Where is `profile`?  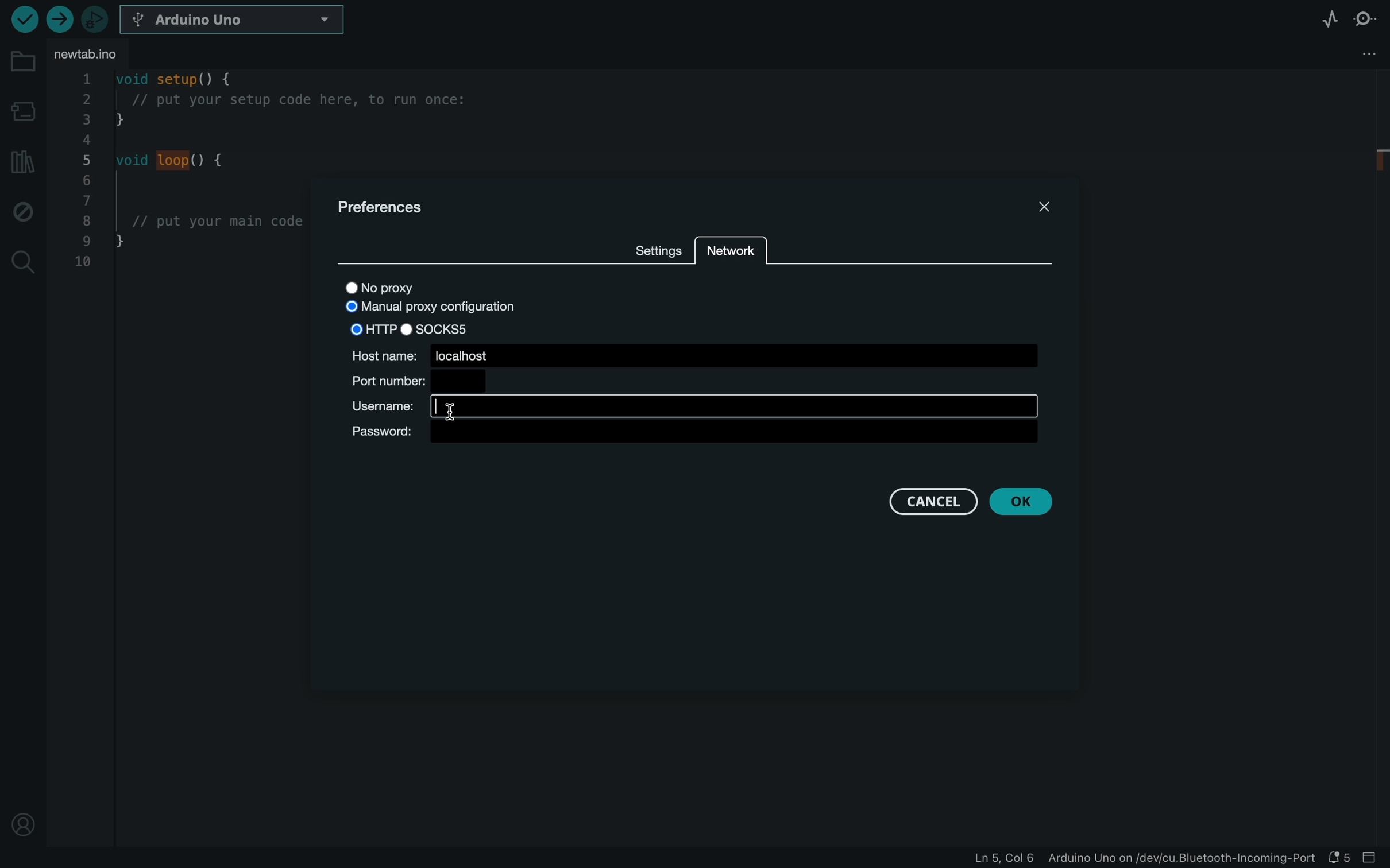 profile is located at coordinates (18, 819).